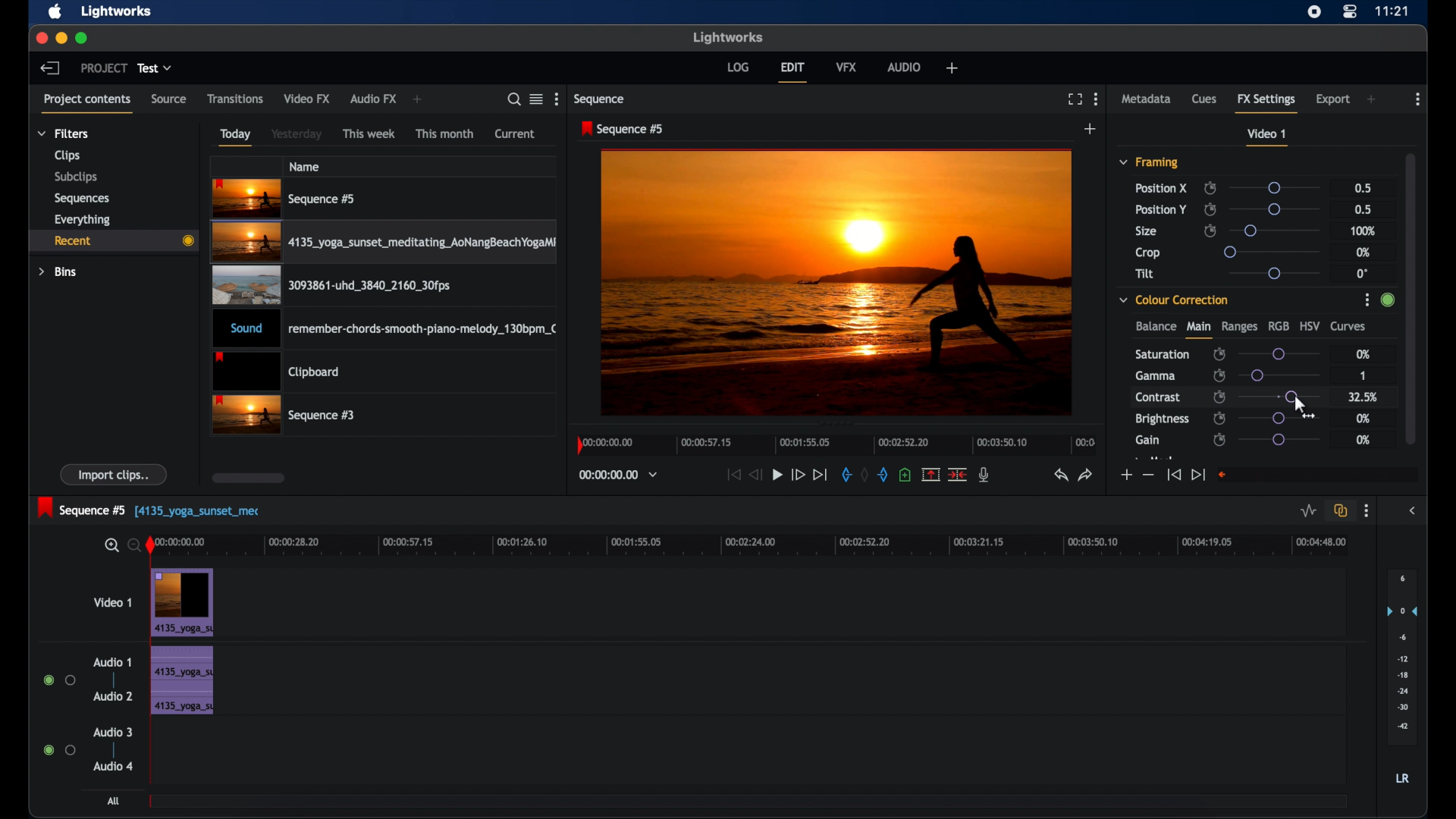 The width and height of the screenshot is (1456, 819). Describe the element at coordinates (1348, 327) in the screenshot. I see `curves` at that location.